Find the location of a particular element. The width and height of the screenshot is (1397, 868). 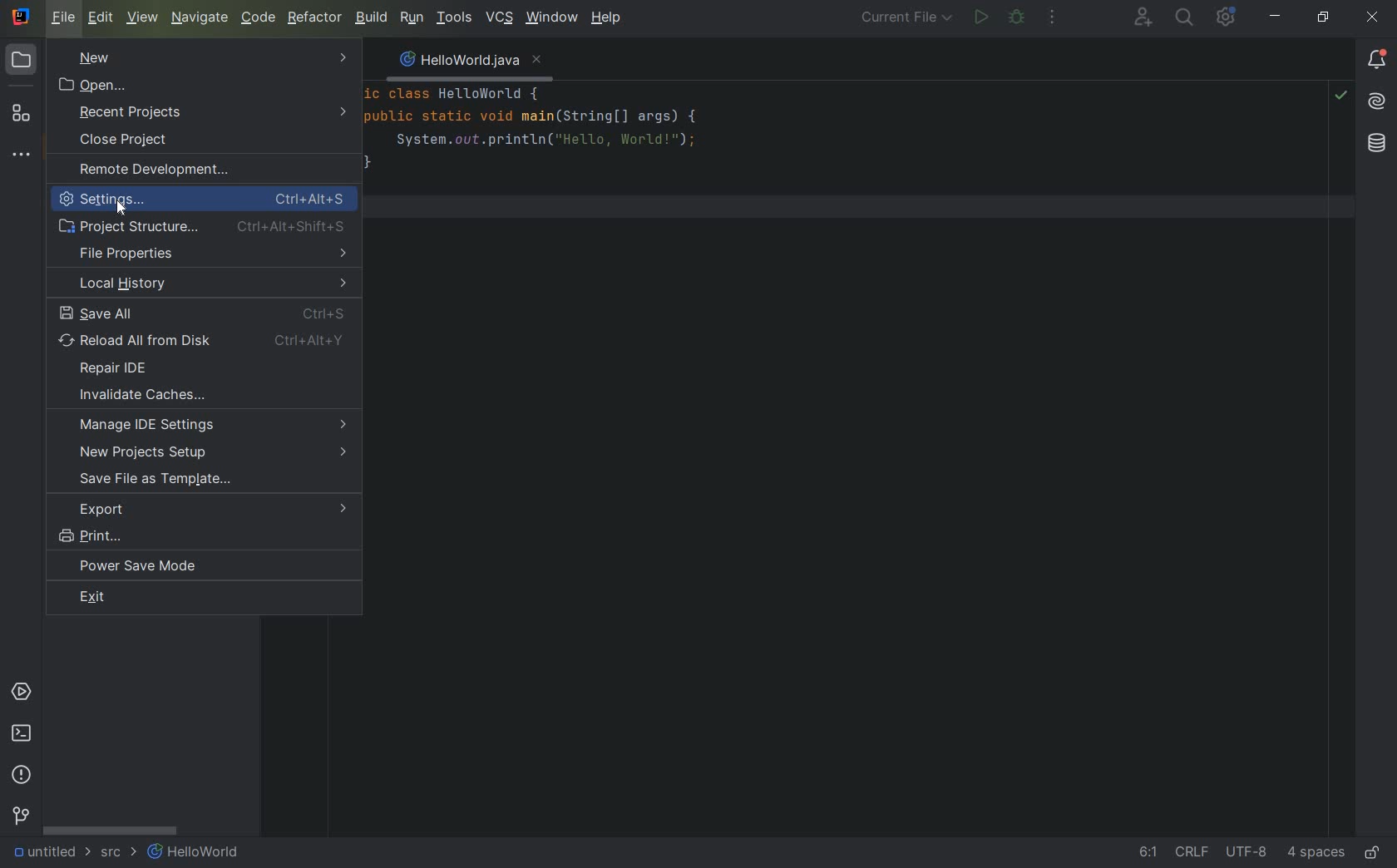

This Java code defines a class named HelloWorld with a main method that prints the string "Hello,World!" is located at coordinates (802, 163).